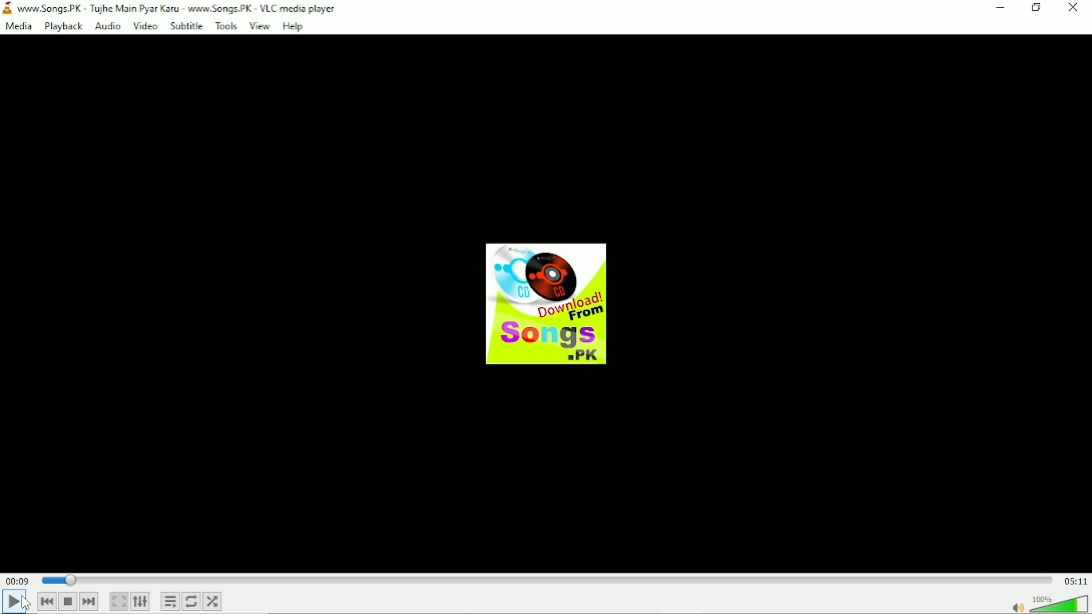  Describe the element at coordinates (295, 25) in the screenshot. I see `Help` at that location.